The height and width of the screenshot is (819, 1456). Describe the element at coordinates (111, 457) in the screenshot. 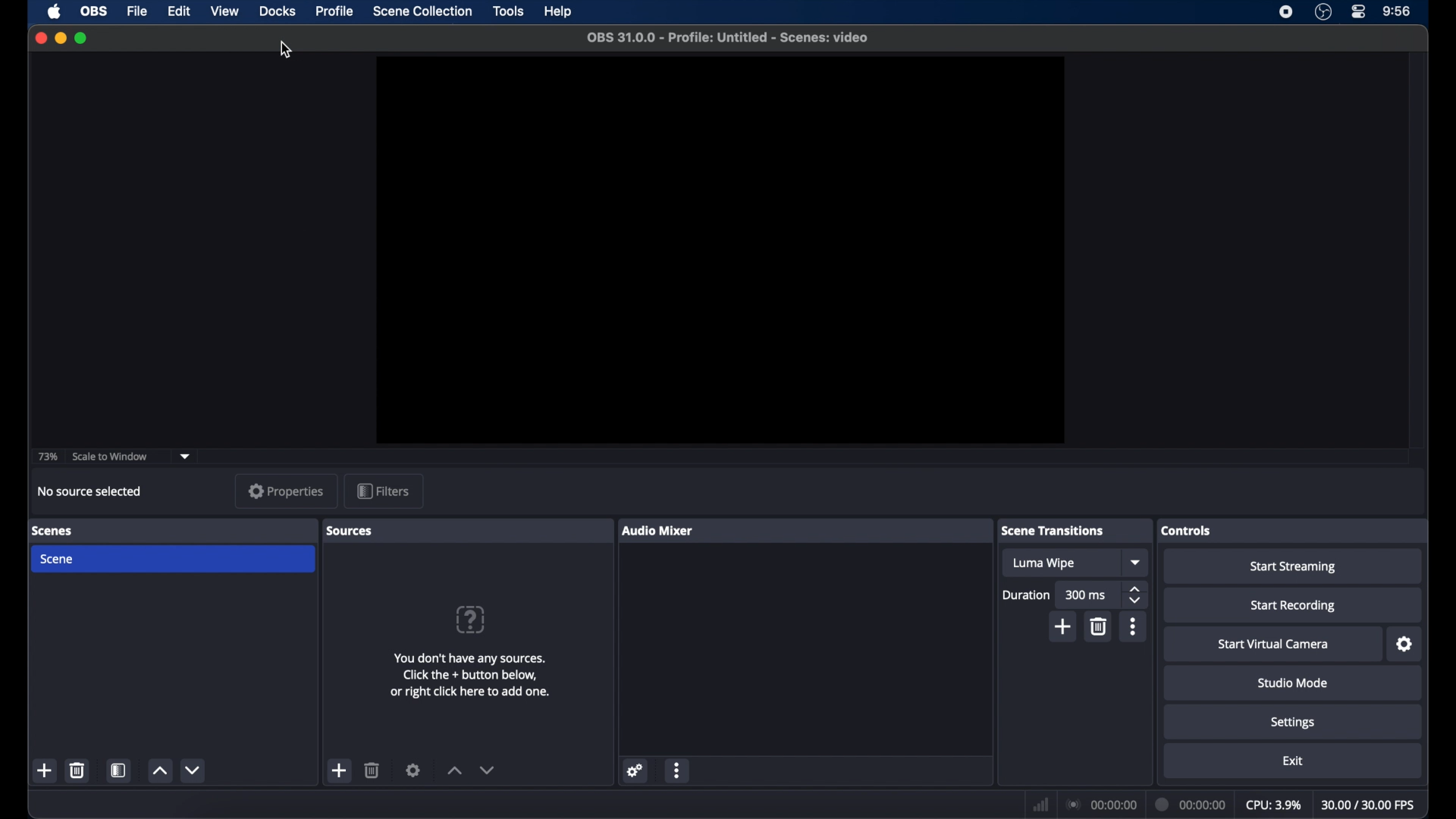

I see `scale to window` at that location.